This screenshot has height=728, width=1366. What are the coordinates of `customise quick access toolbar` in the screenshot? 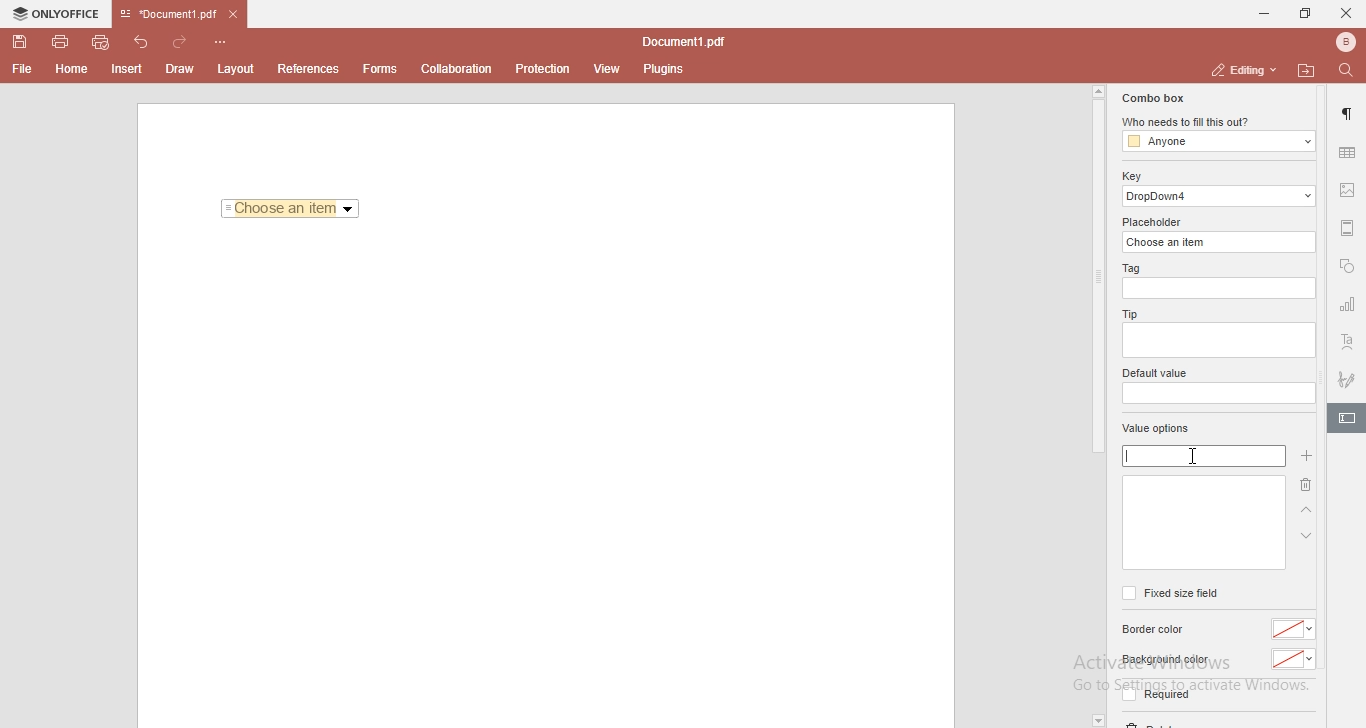 It's located at (224, 41).